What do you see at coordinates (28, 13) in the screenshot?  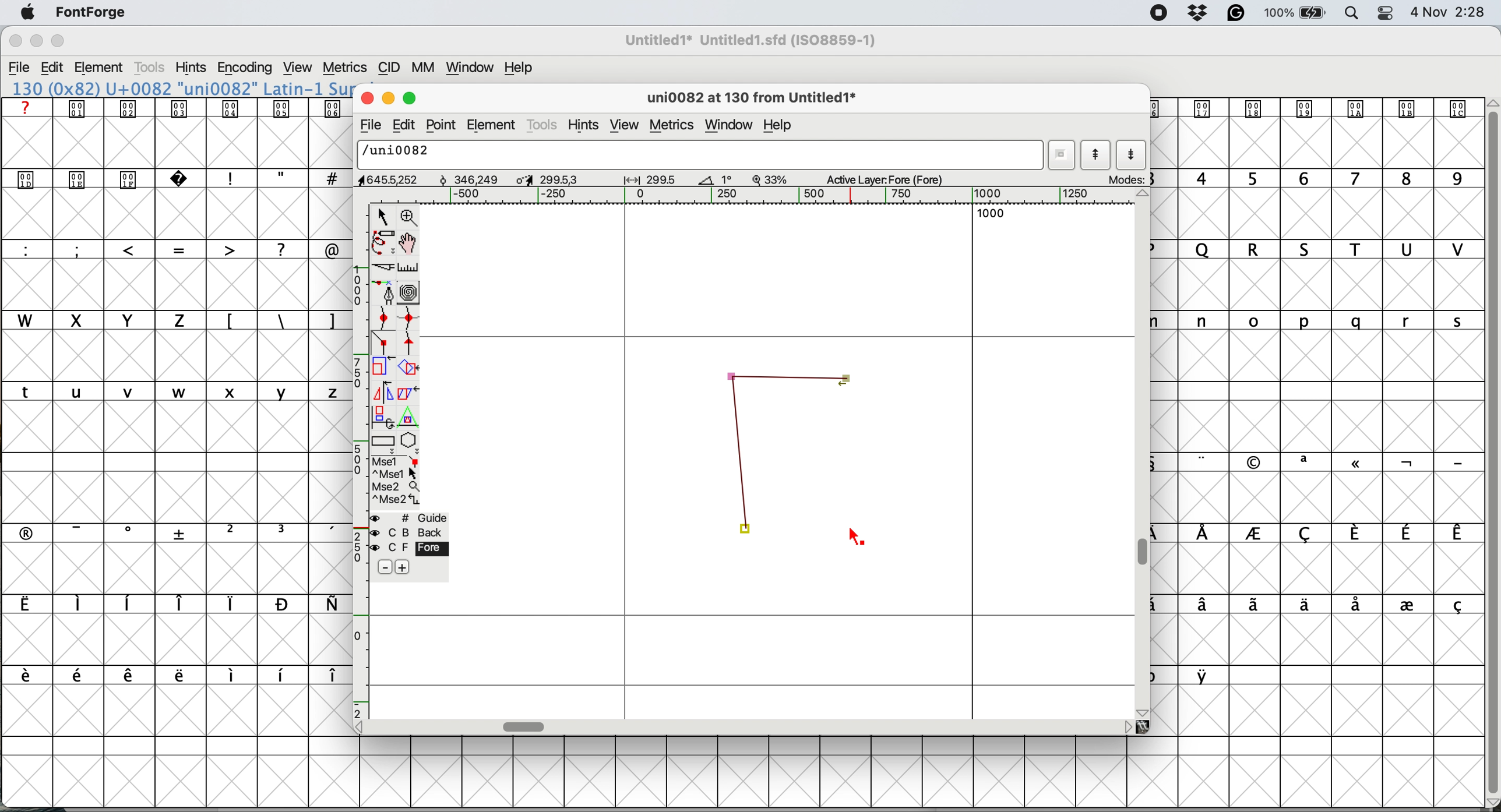 I see `system logo` at bounding box center [28, 13].